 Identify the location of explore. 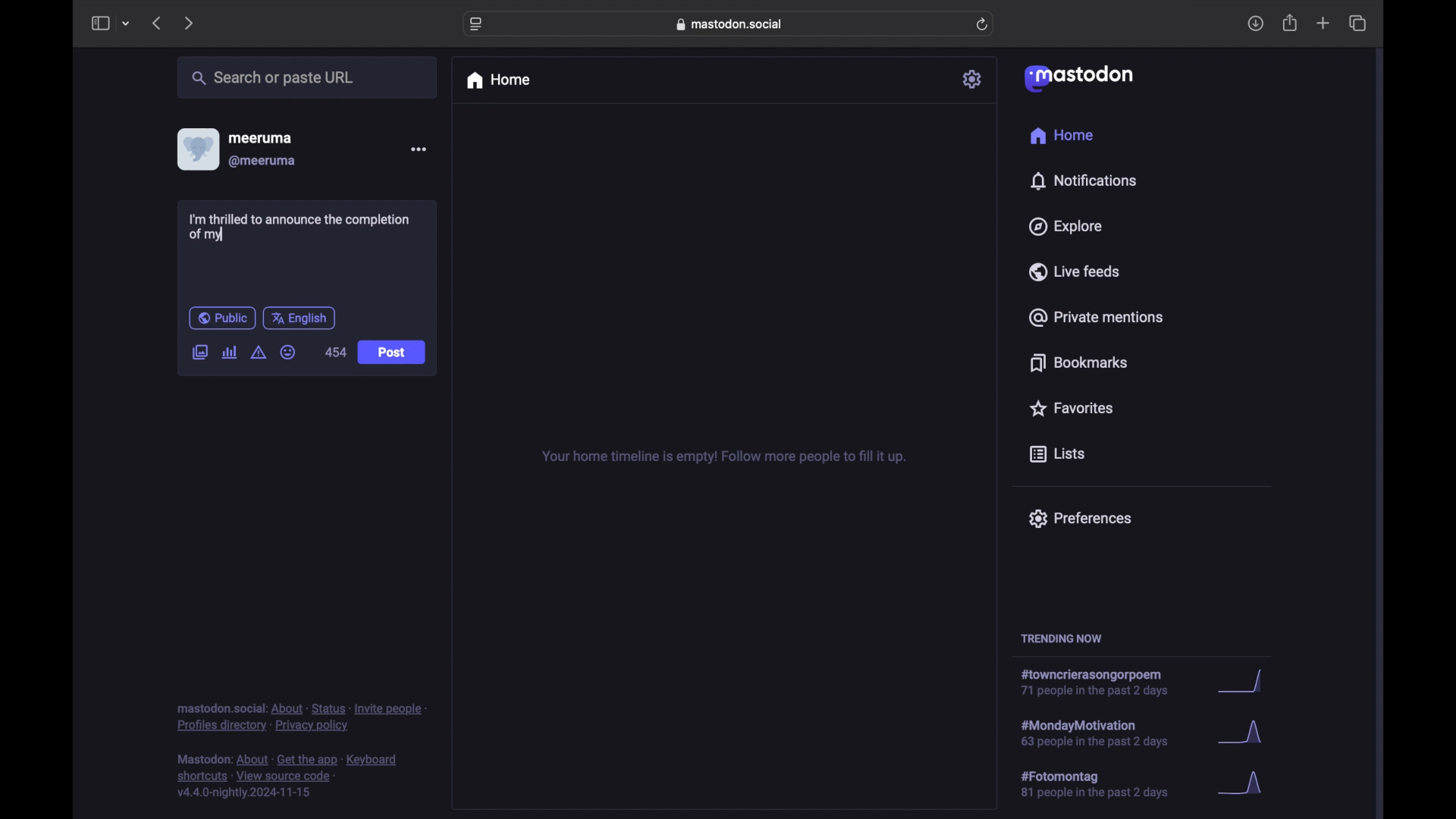
(1066, 227).